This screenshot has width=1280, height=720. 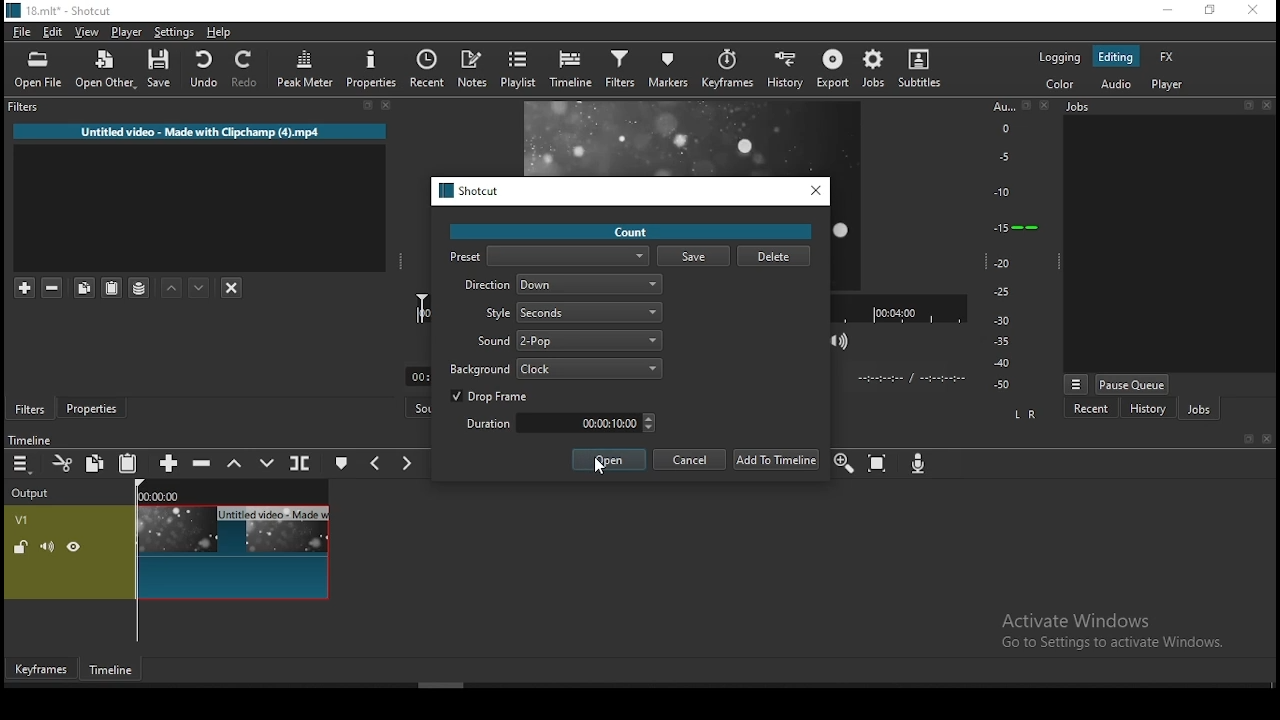 I want to click on color, so click(x=1059, y=86).